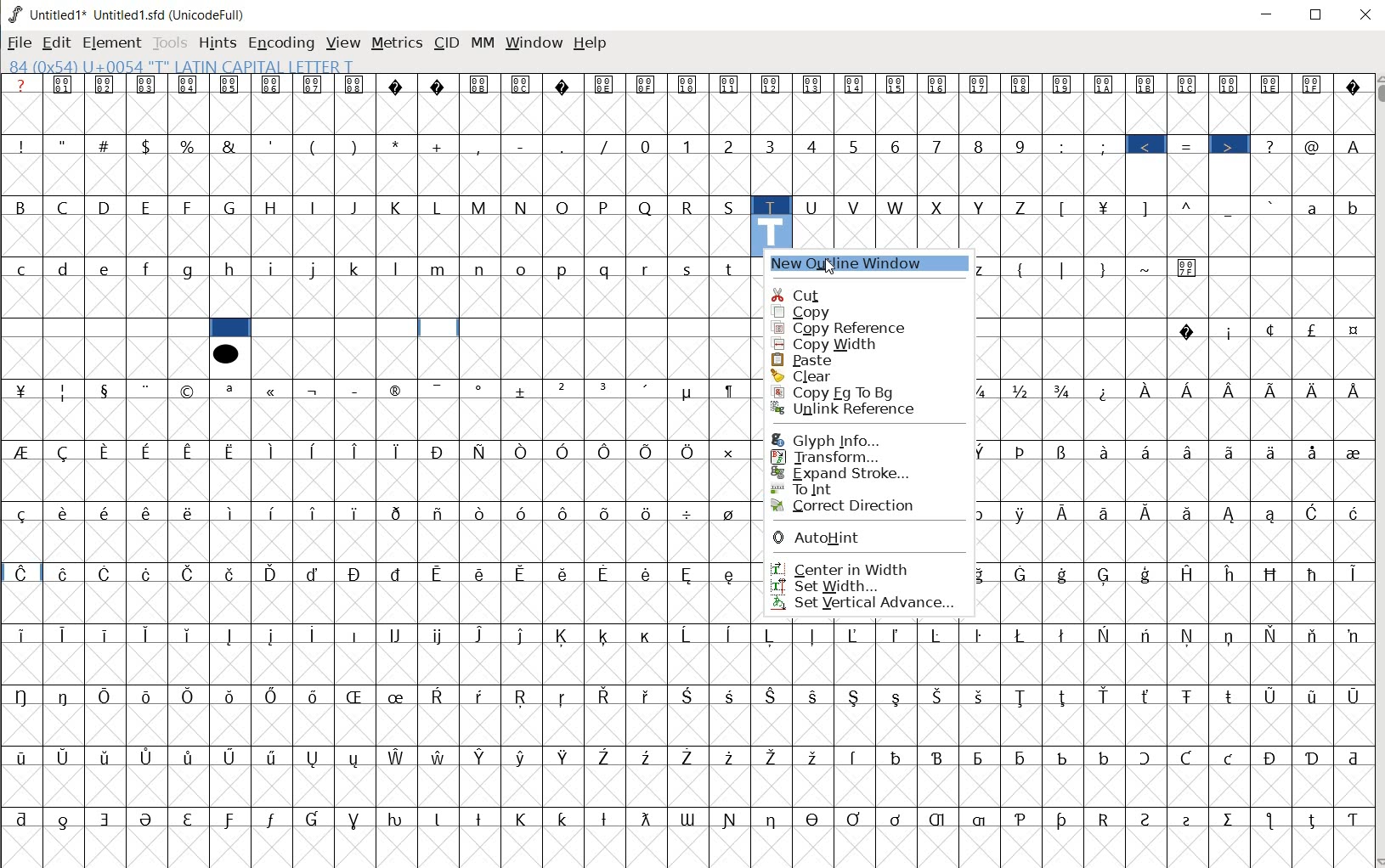 The width and height of the screenshot is (1385, 868). Describe the element at coordinates (565, 757) in the screenshot. I see `Symbol` at that location.